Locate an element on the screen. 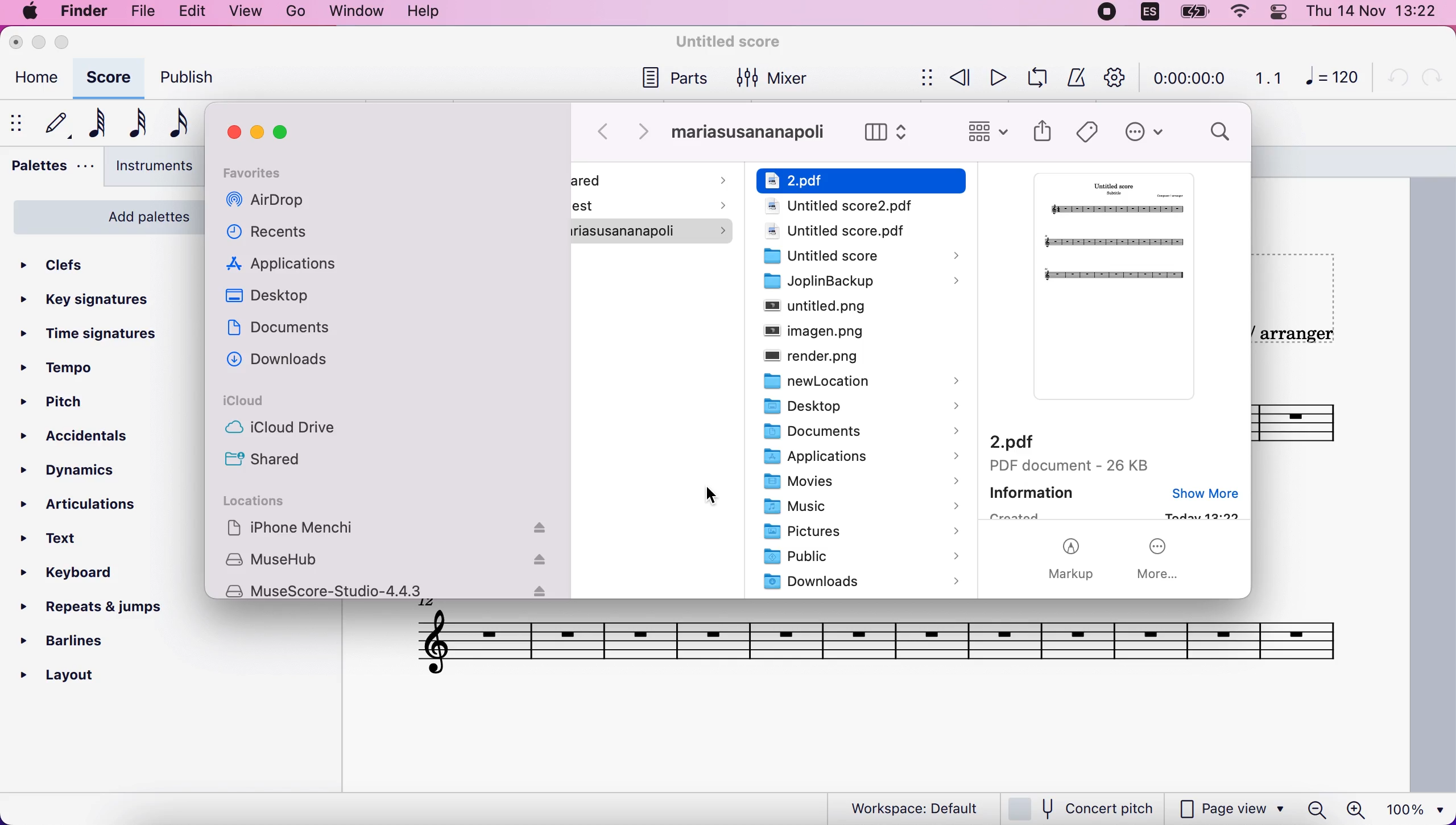 This screenshot has height=825, width=1456. [3 Untitled score > is located at coordinates (857, 257).